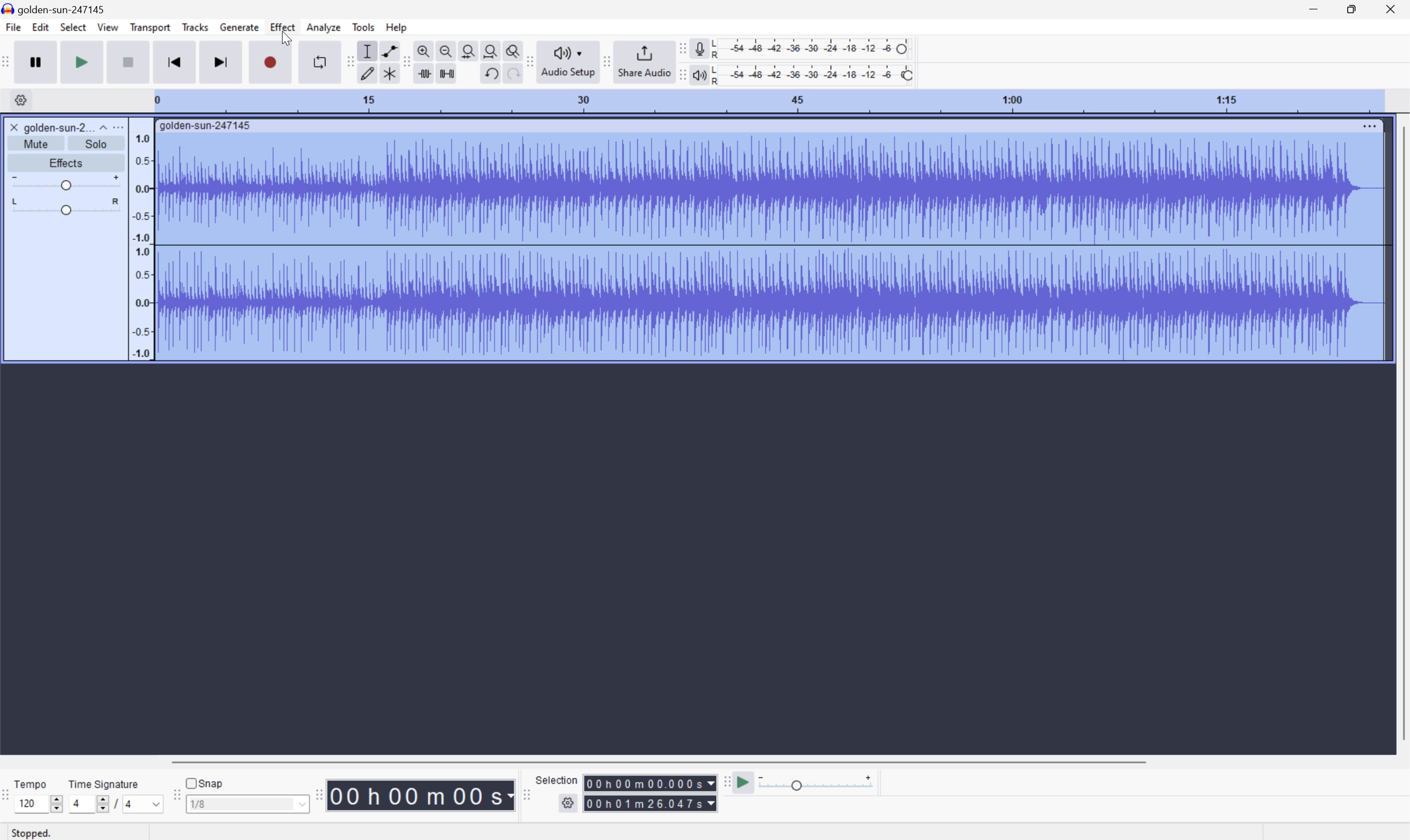 The image size is (1410, 840). What do you see at coordinates (283, 27) in the screenshot?
I see `Effect` at bounding box center [283, 27].